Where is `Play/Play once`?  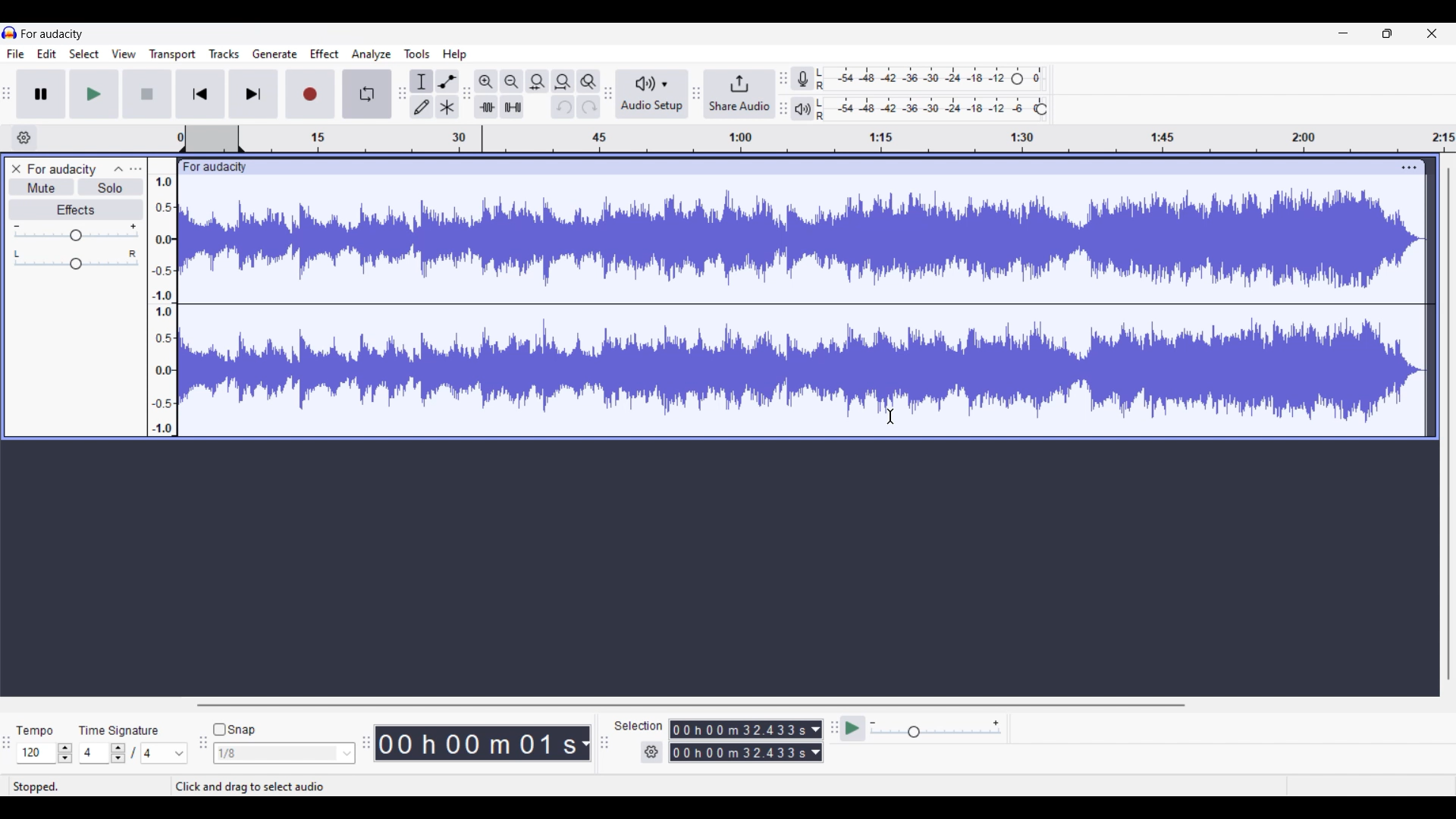 Play/Play once is located at coordinates (95, 94).